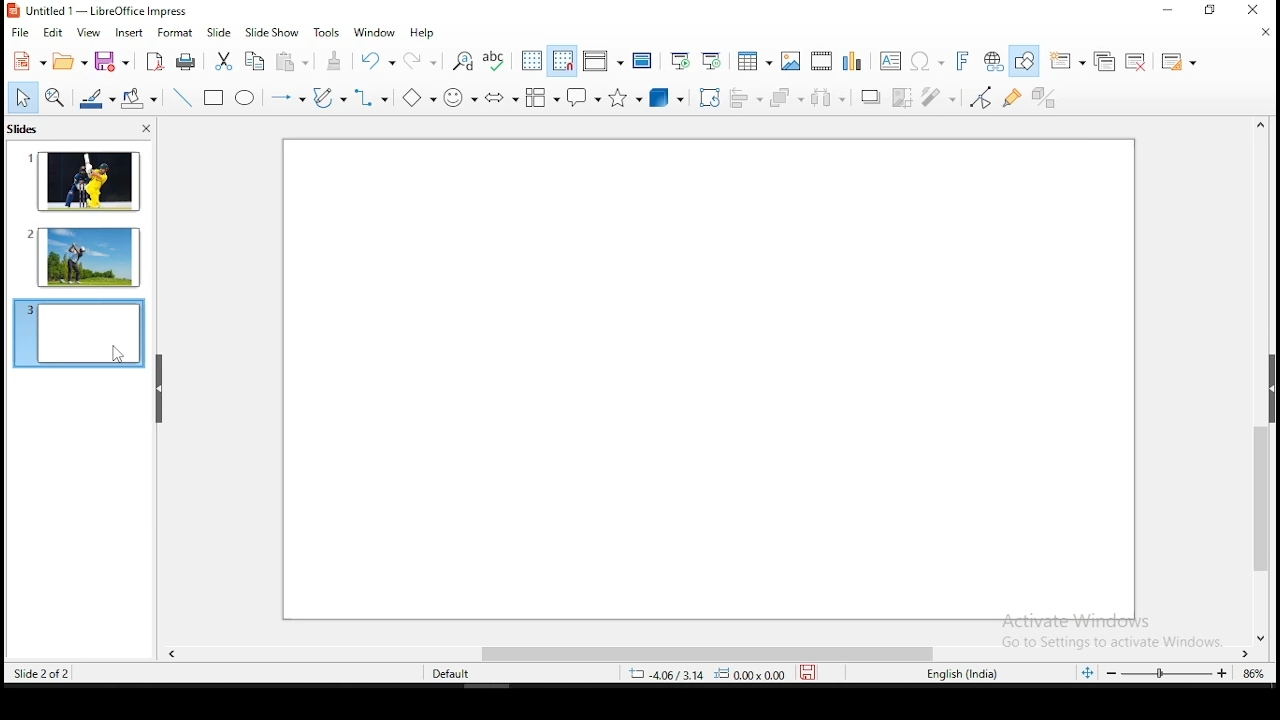 The height and width of the screenshot is (720, 1280). What do you see at coordinates (1048, 99) in the screenshot?
I see `toggle extrusion` at bounding box center [1048, 99].